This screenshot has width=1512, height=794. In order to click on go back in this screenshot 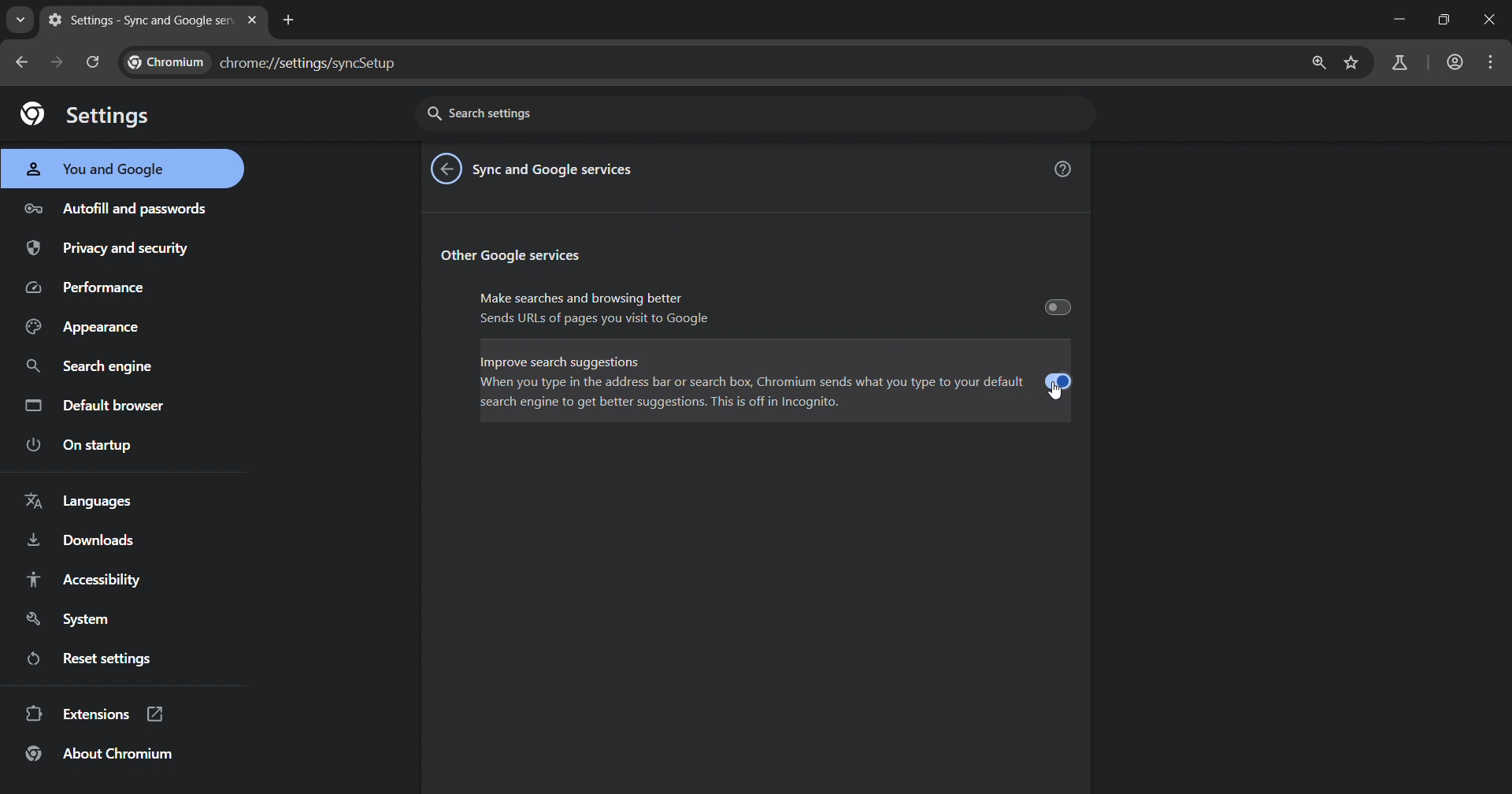, I will do `click(448, 169)`.